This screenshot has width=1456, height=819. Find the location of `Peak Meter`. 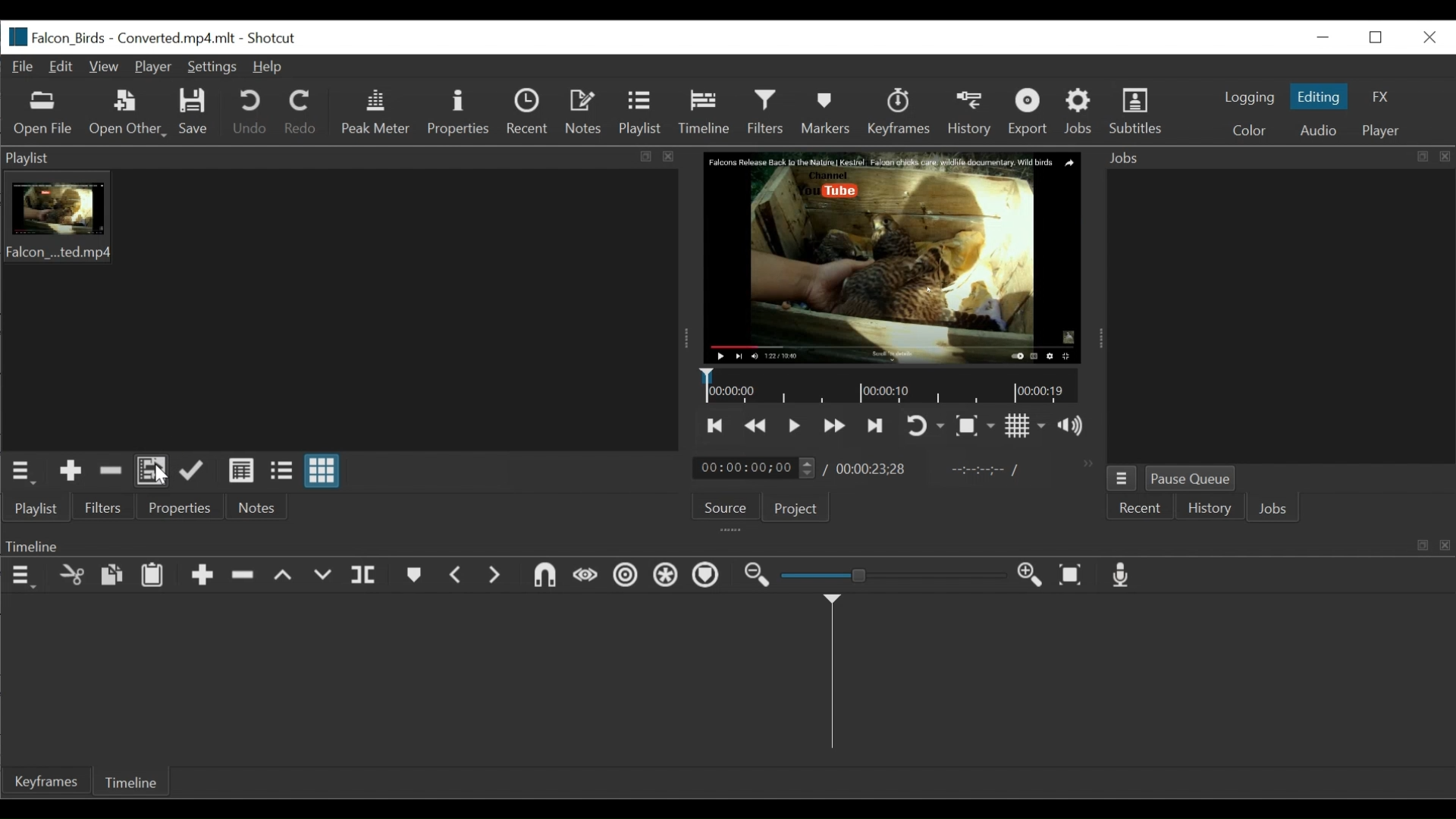

Peak Meter is located at coordinates (375, 113).